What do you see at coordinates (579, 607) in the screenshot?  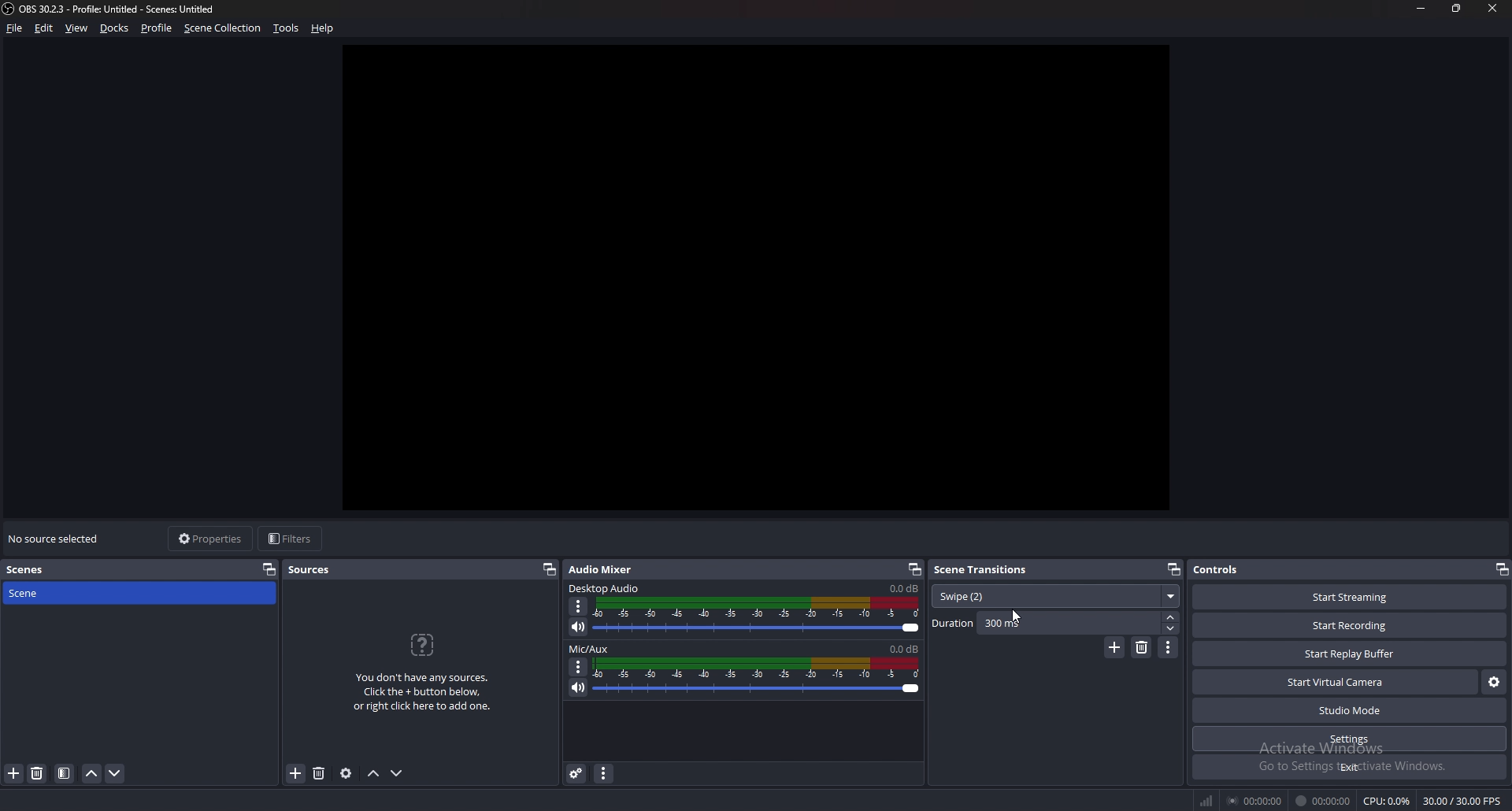 I see `options` at bounding box center [579, 607].